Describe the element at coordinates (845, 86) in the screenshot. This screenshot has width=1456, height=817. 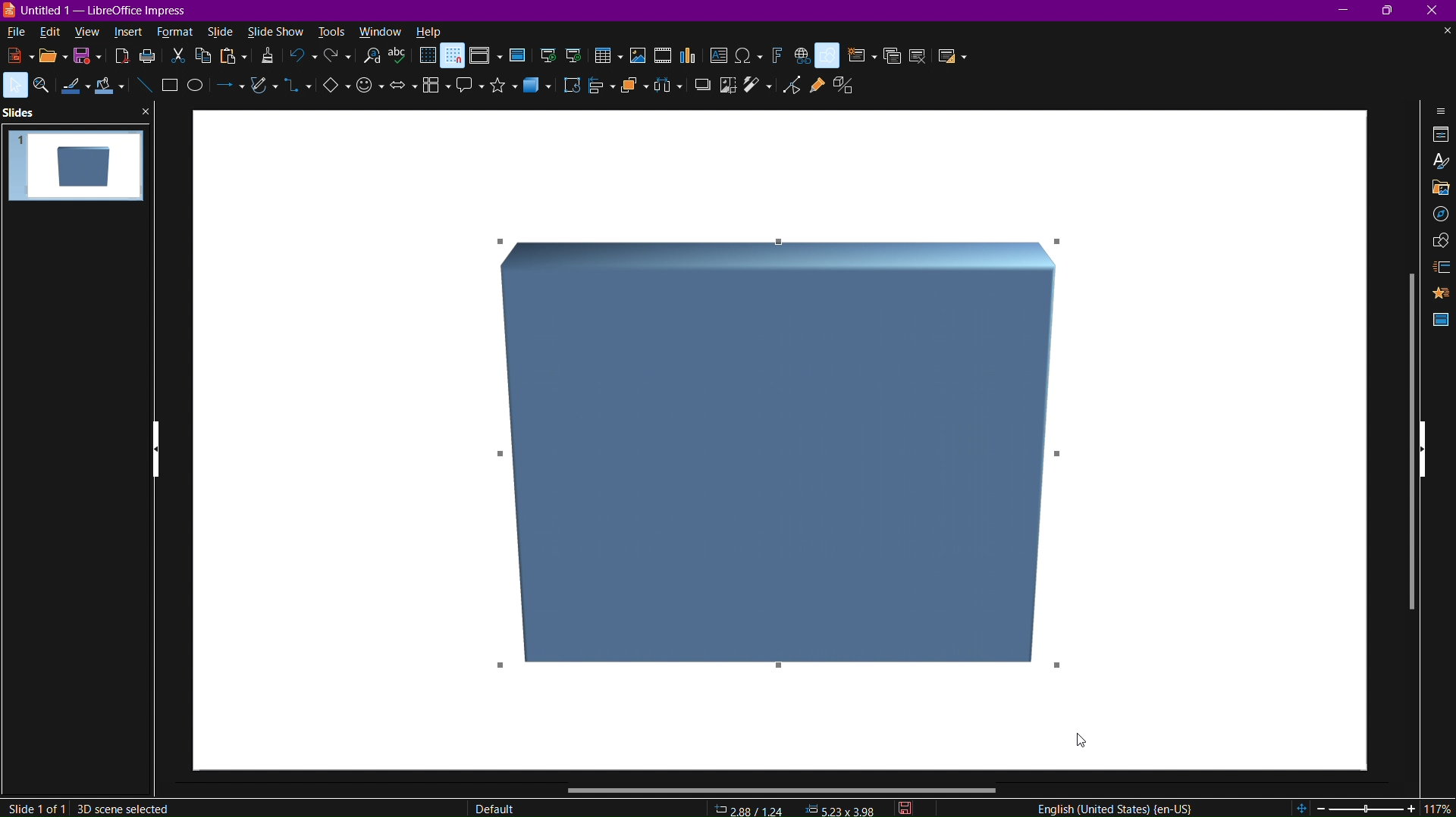
I see `Toggle Extrusion` at that location.